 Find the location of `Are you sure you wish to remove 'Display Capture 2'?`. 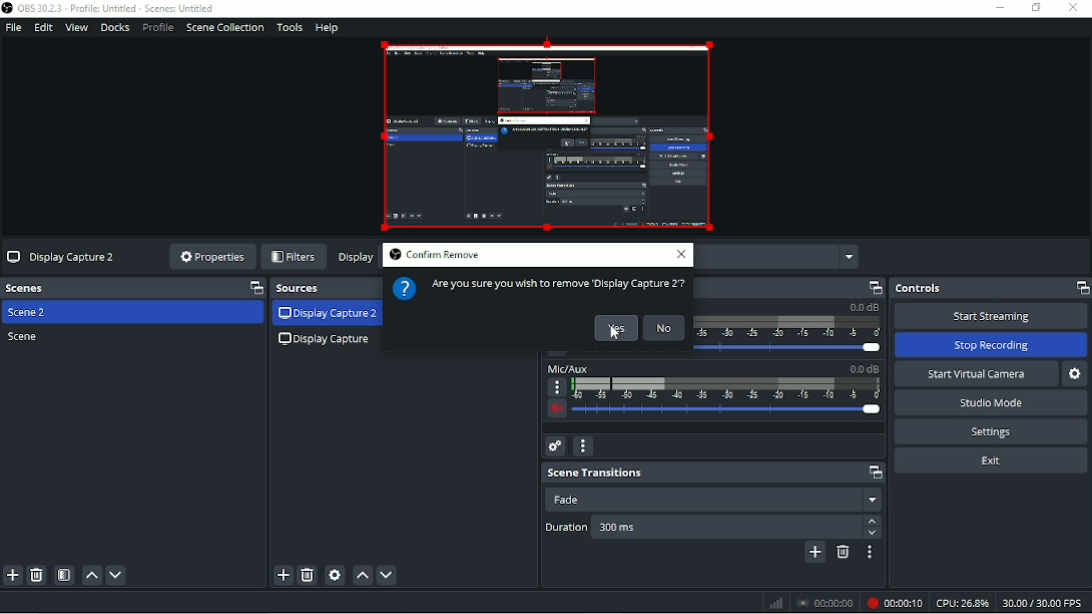

Are you sure you wish to remove 'Display Capture 2'? is located at coordinates (538, 288).